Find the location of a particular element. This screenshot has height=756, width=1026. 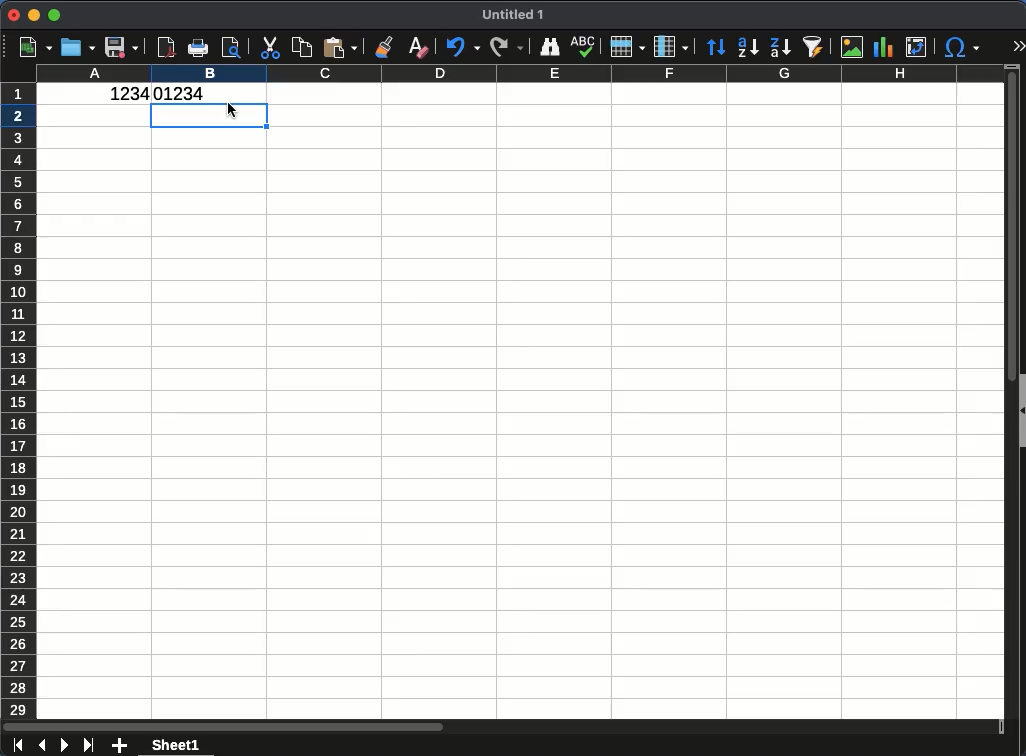

close is located at coordinates (14, 15).